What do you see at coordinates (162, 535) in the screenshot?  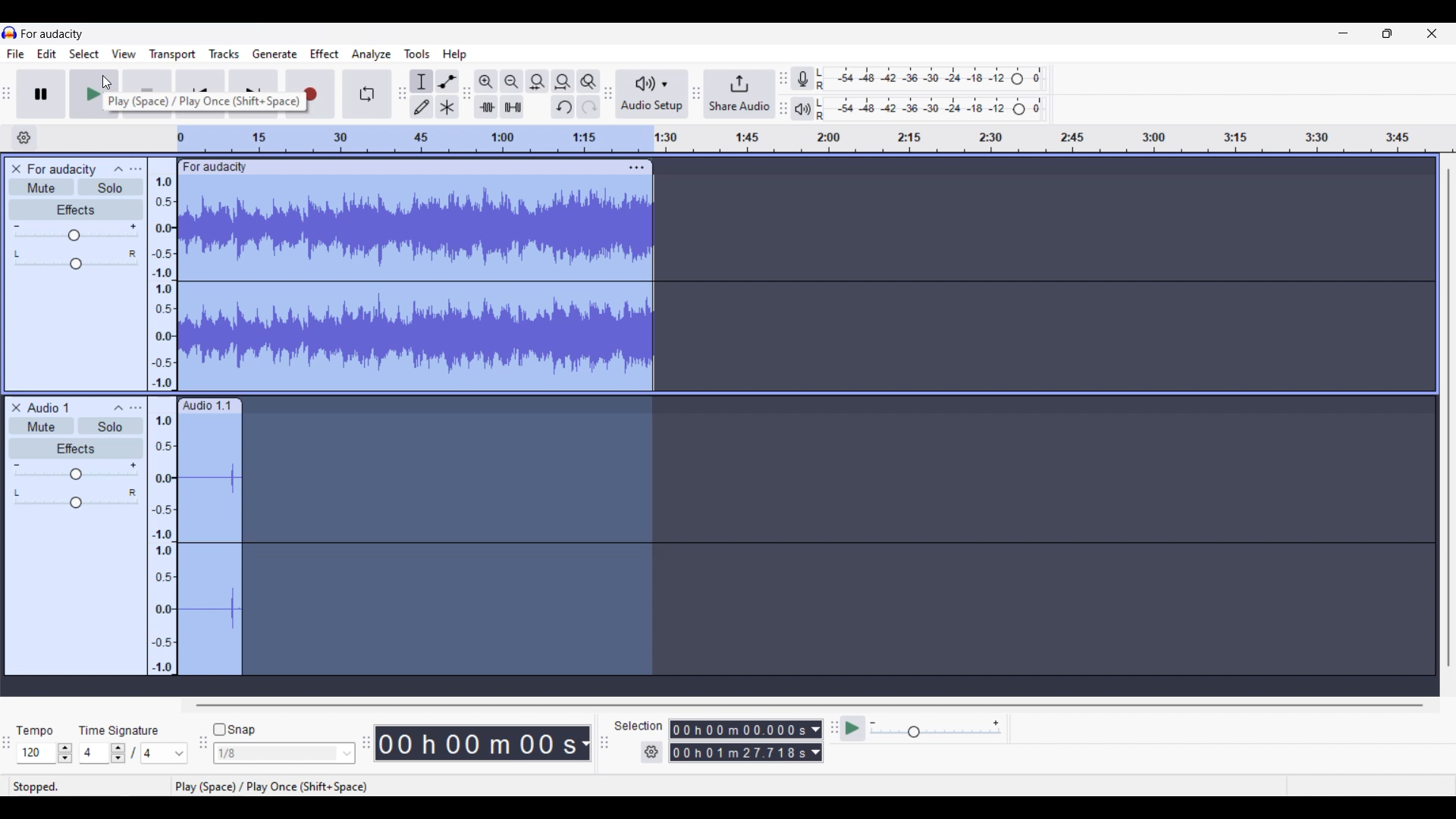 I see `amplitude` at bounding box center [162, 535].